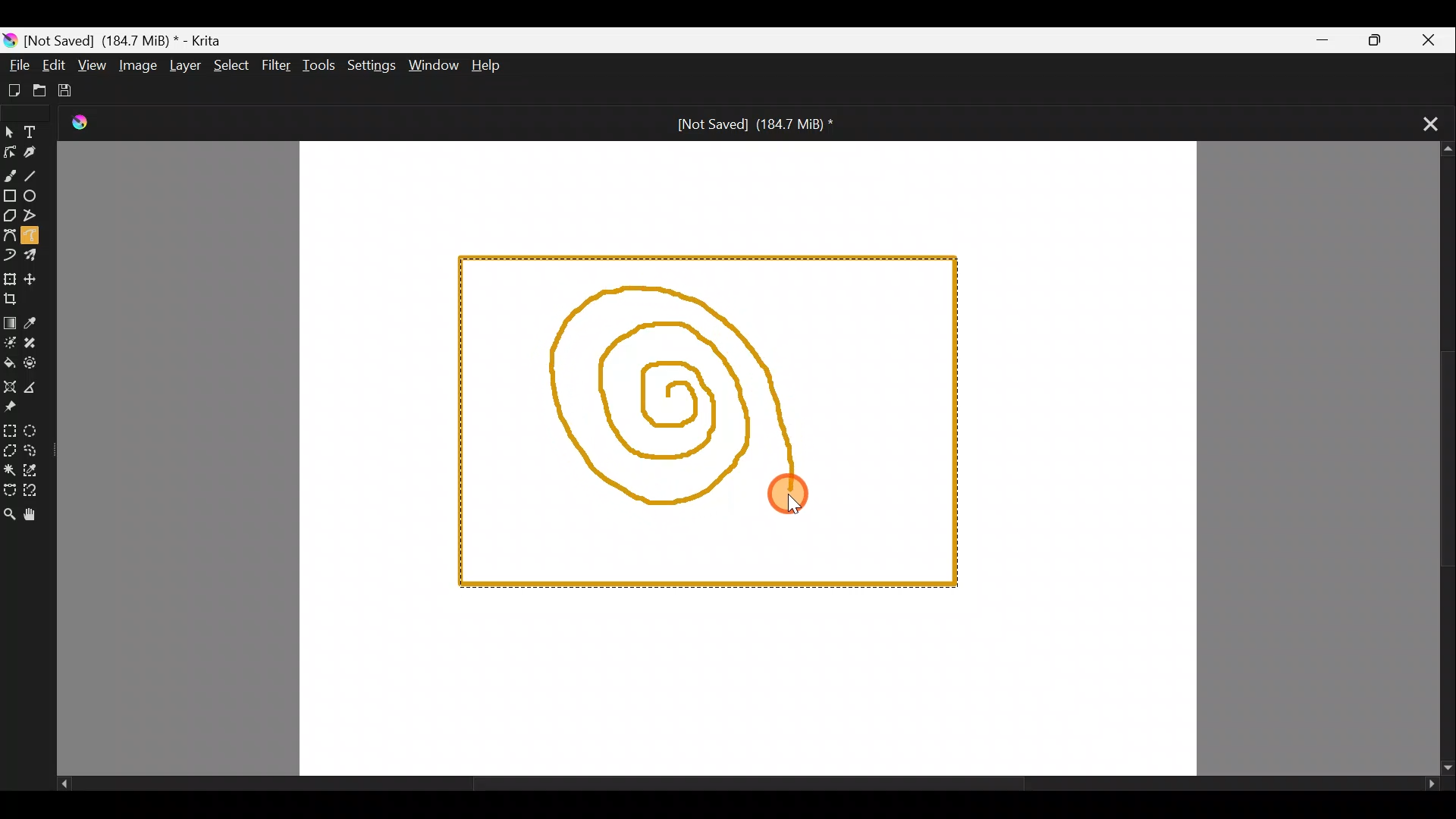 The height and width of the screenshot is (819, 1456). Describe the element at coordinates (495, 64) in the screenshot. I see `Help` at that location.